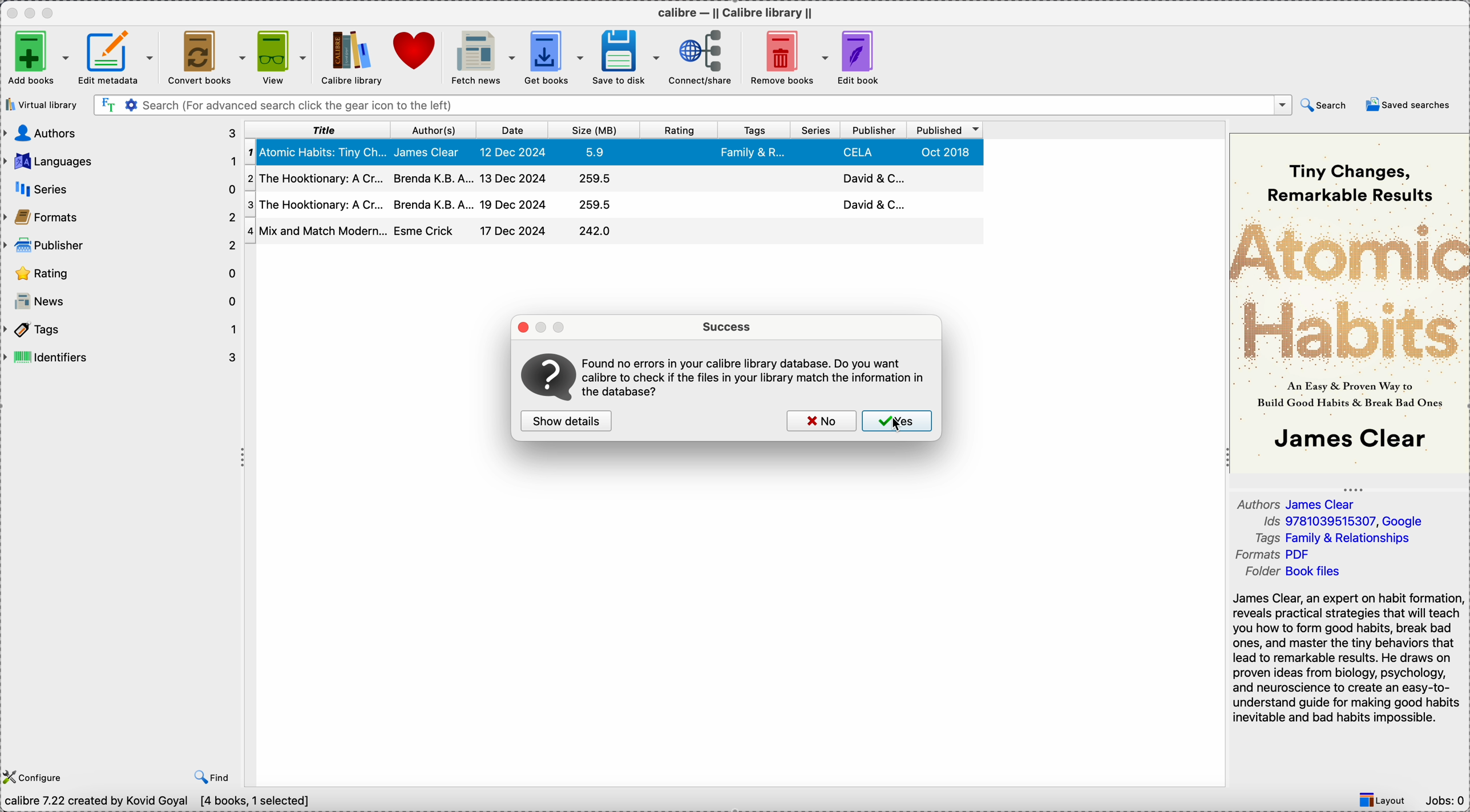 This screenshot has width=1470, height=812. What do you see at coordinates (613, 205) in the screenshot?
I see `third book` at bounding box center [613, 205].